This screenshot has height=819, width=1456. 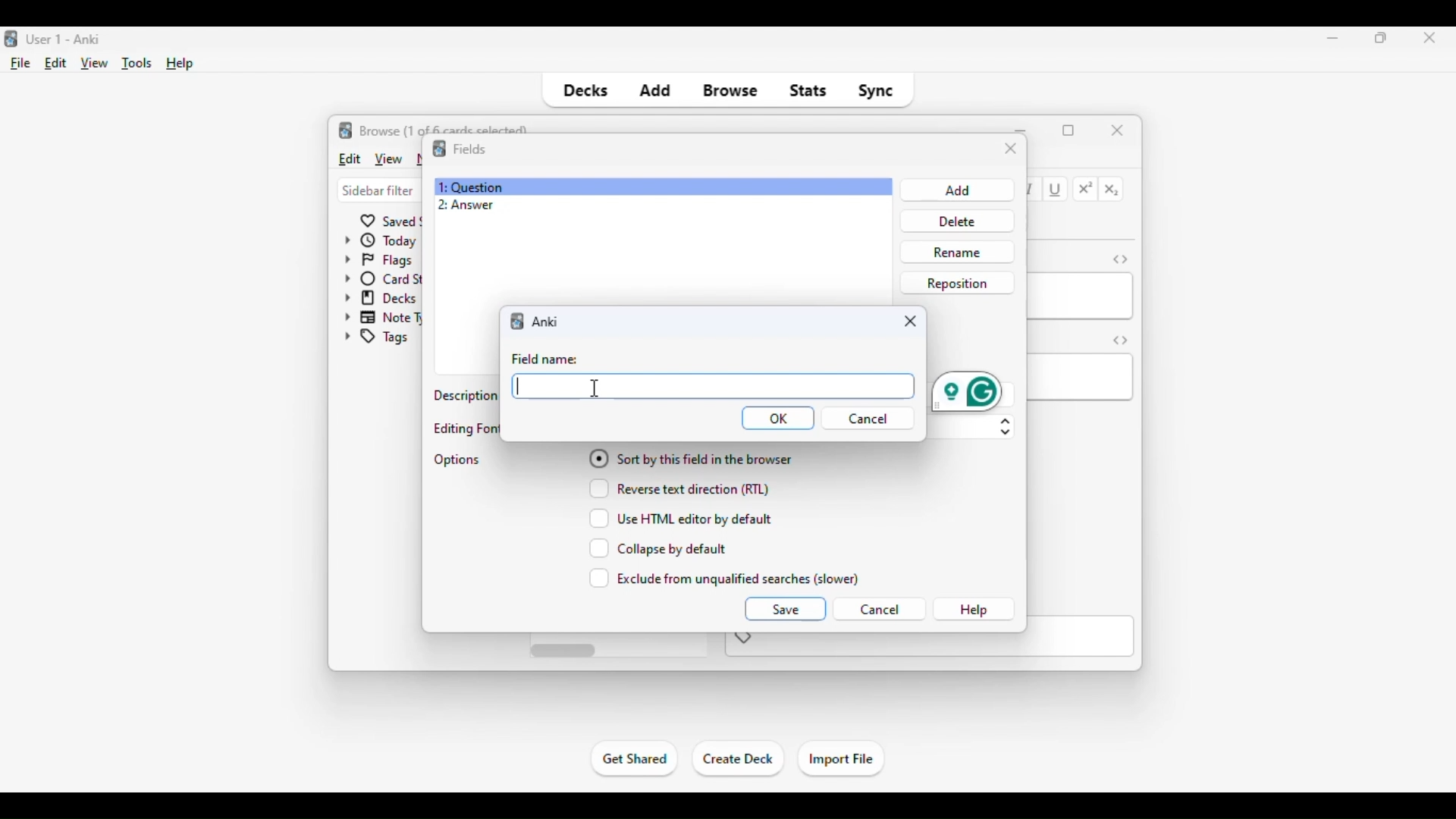 I want to click on help, so click(x=180, y=64).